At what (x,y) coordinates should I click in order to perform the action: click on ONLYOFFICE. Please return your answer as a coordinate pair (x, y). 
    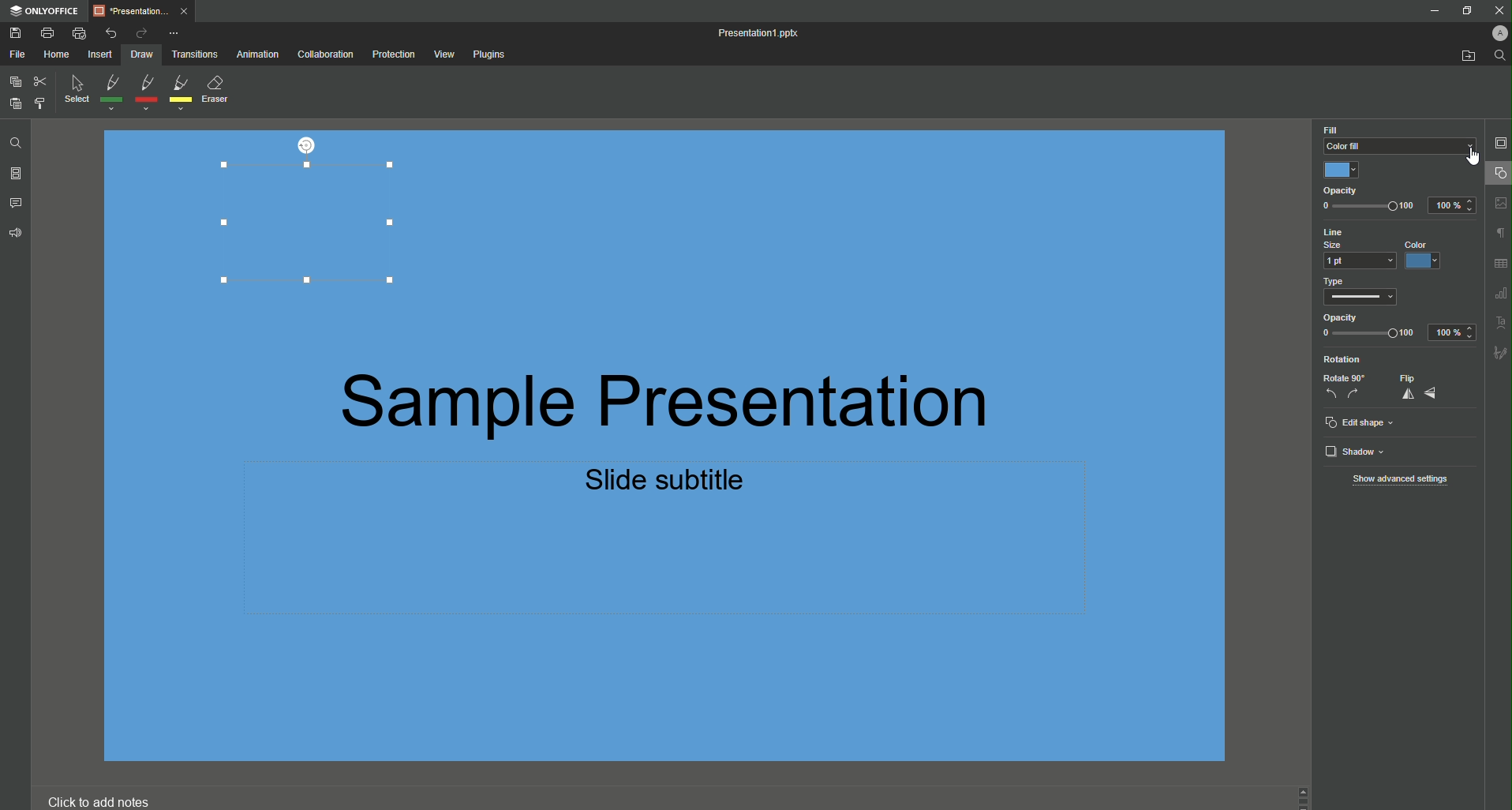
    Looking at the image, I should click on (47, 10).